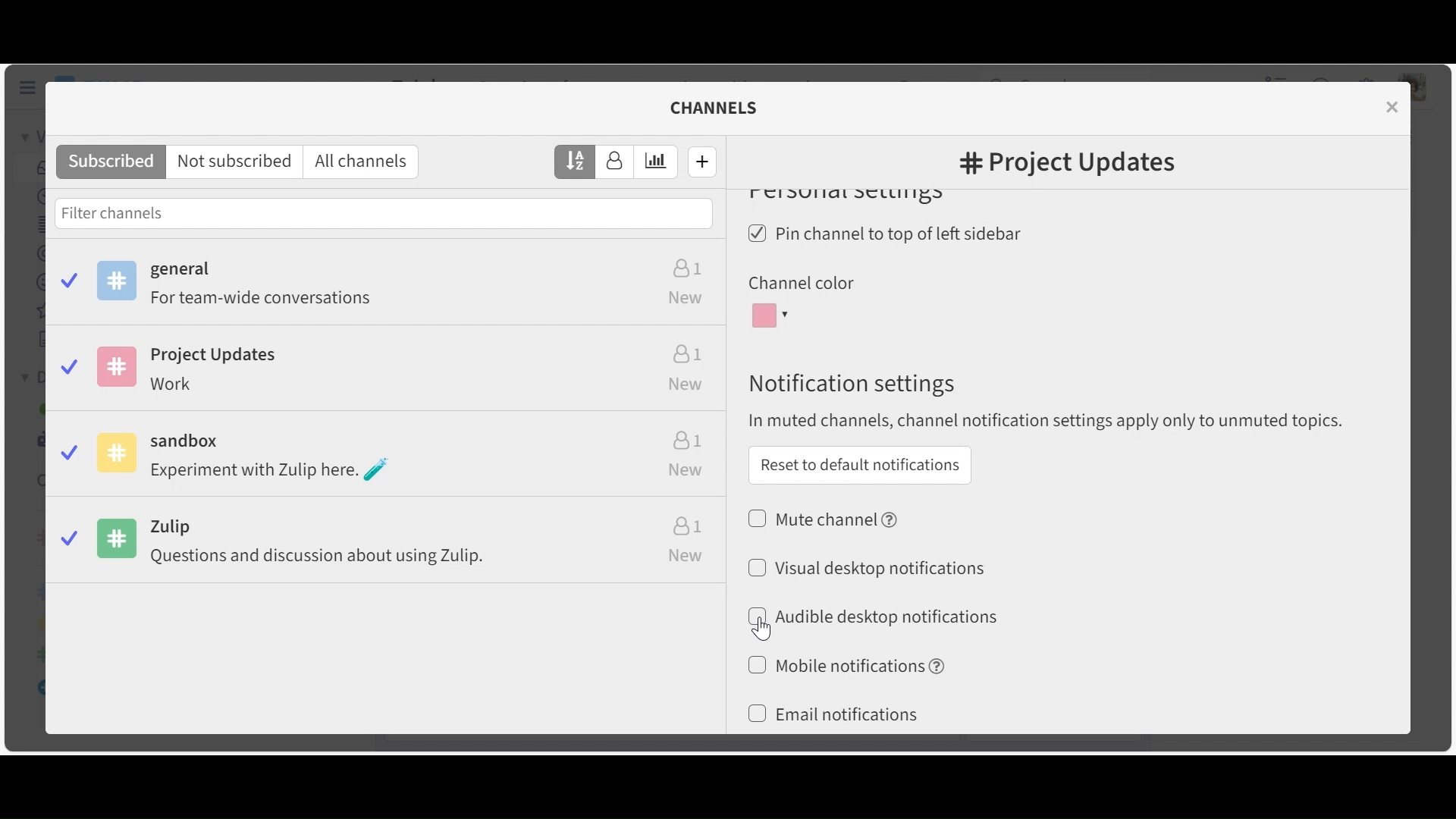 The image size is (1456, 819). What do you see at coordinates (833, 715) in the screenshot?
I see `(un)select Email notifications` at bounding box center [833, 715].